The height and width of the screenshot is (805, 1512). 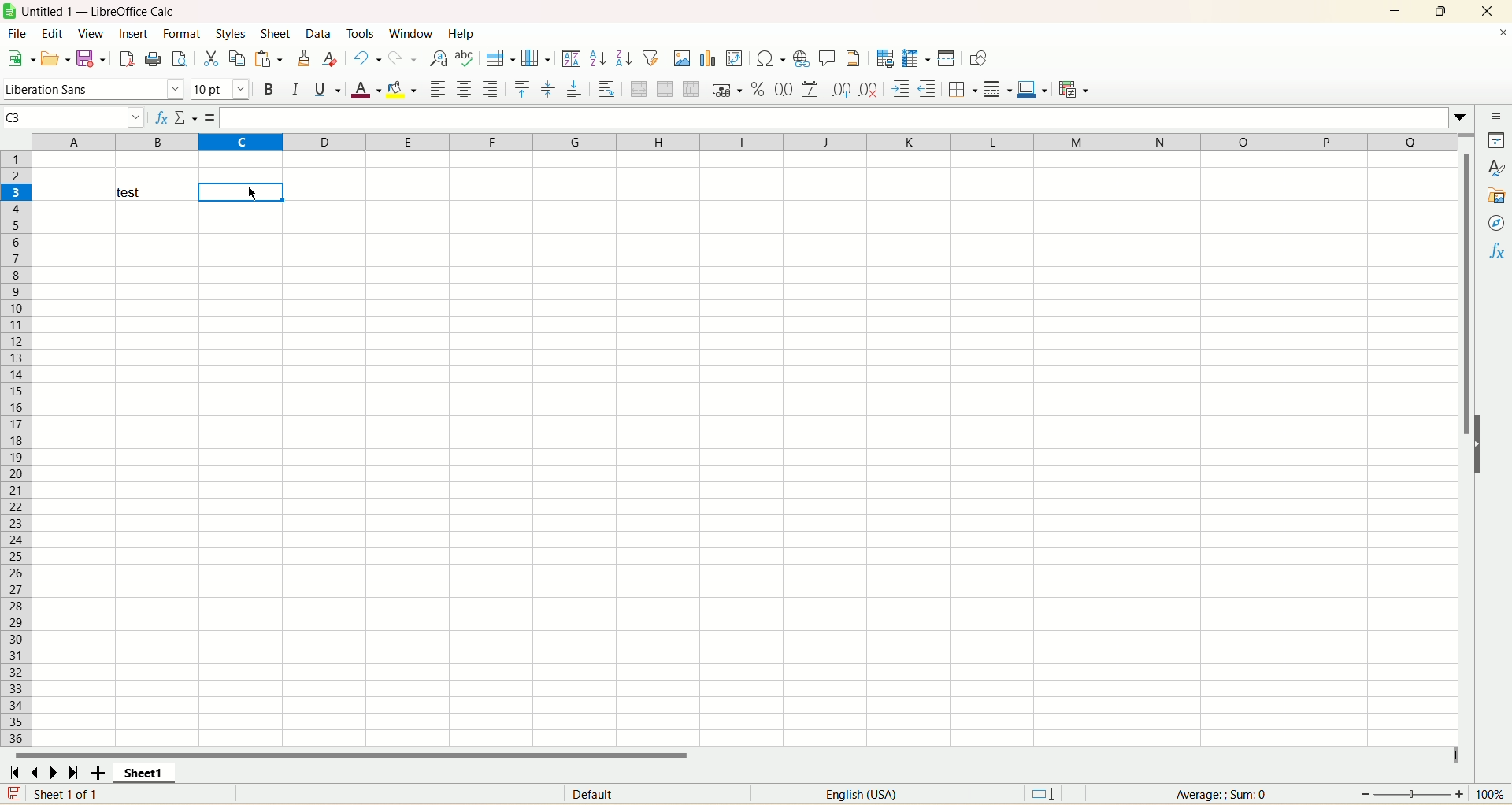 I want to click on remove decimal, so click(x=869, y=89).